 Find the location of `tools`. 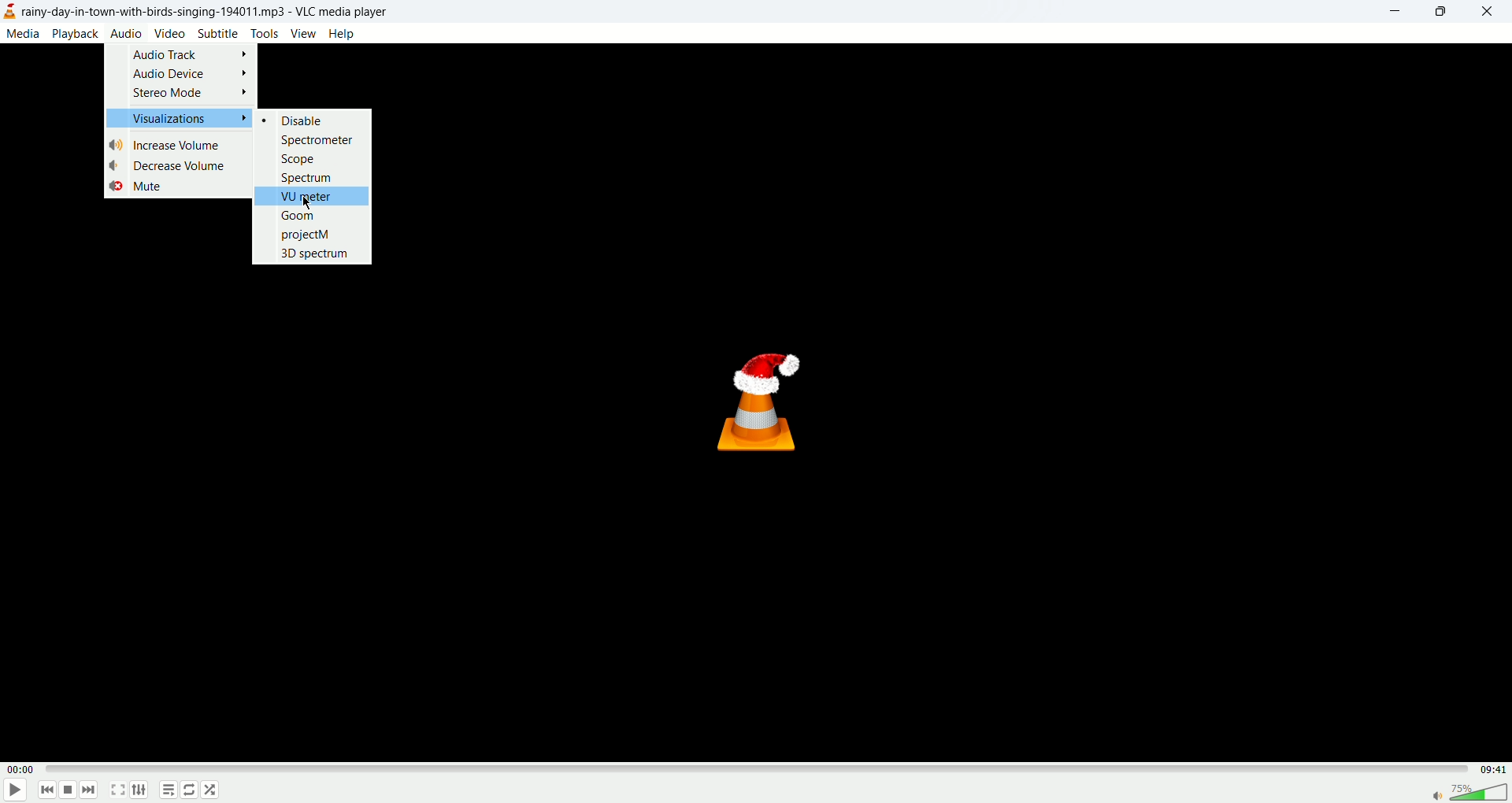

tools is located at coordinates (264, 32).